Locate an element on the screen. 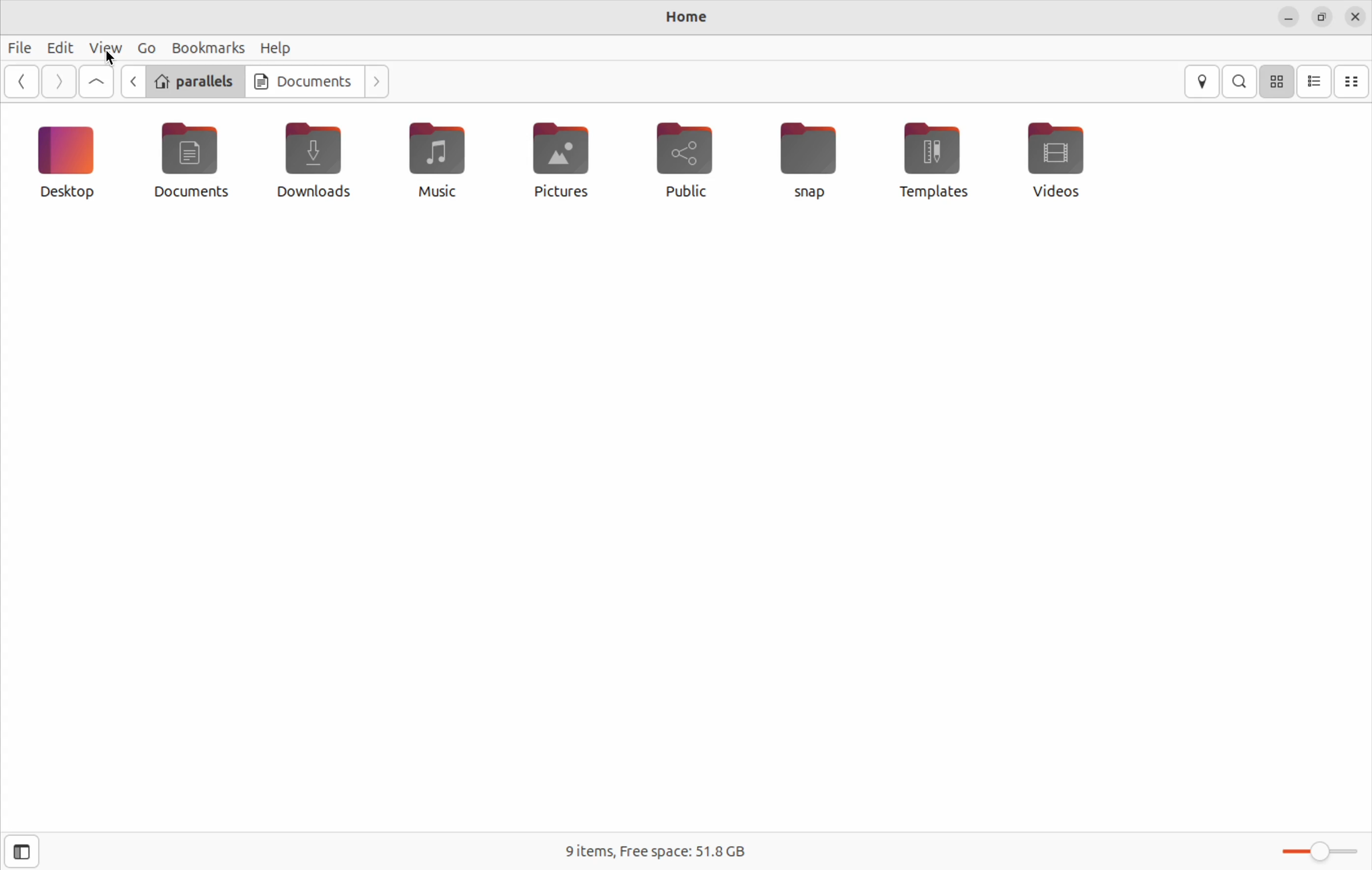 This screenshot has height=870, width=1372. close files is located at coordinates (1354, 18).